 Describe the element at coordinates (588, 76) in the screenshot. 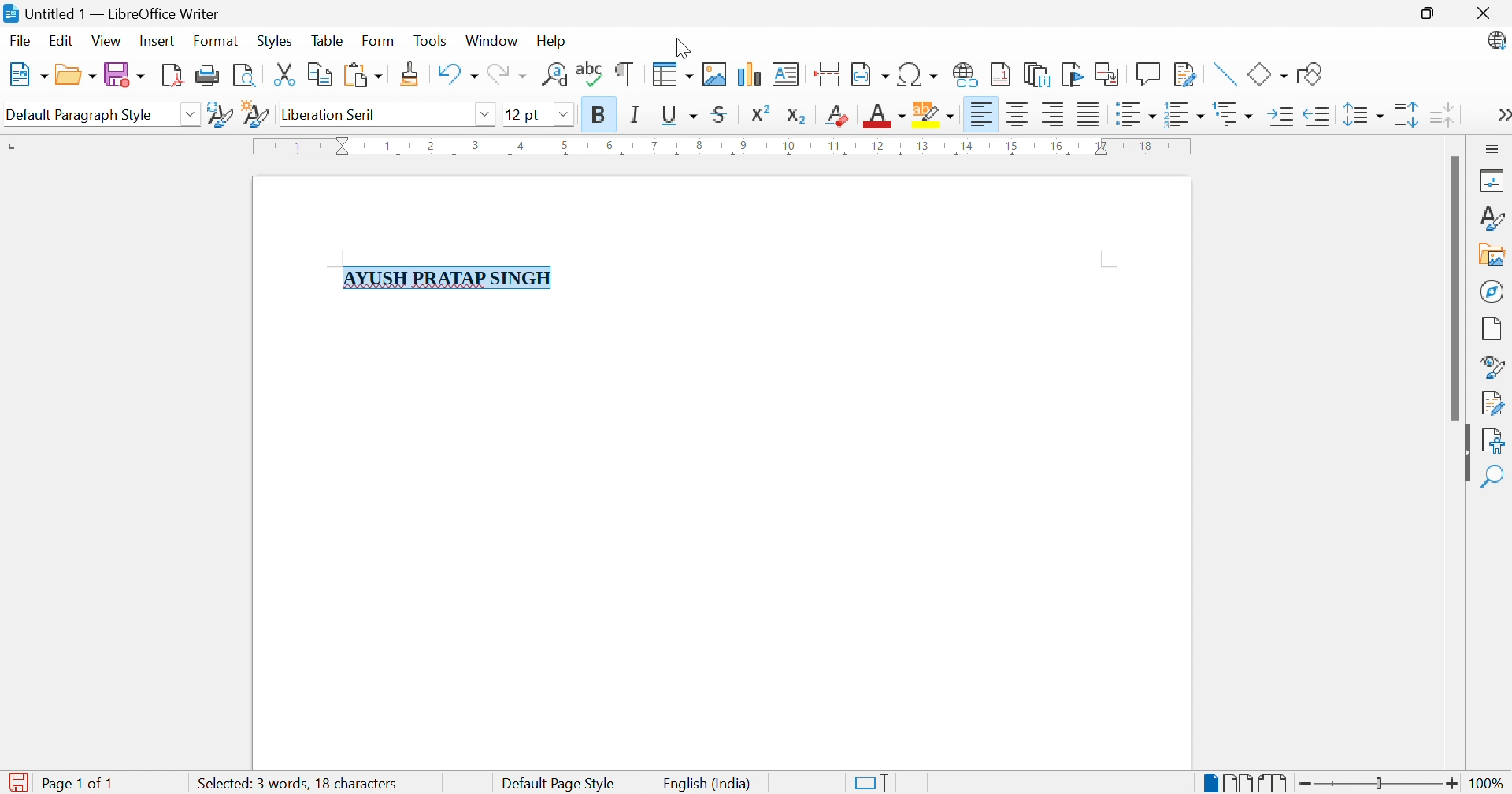

I see `Check Spelling` at that location.